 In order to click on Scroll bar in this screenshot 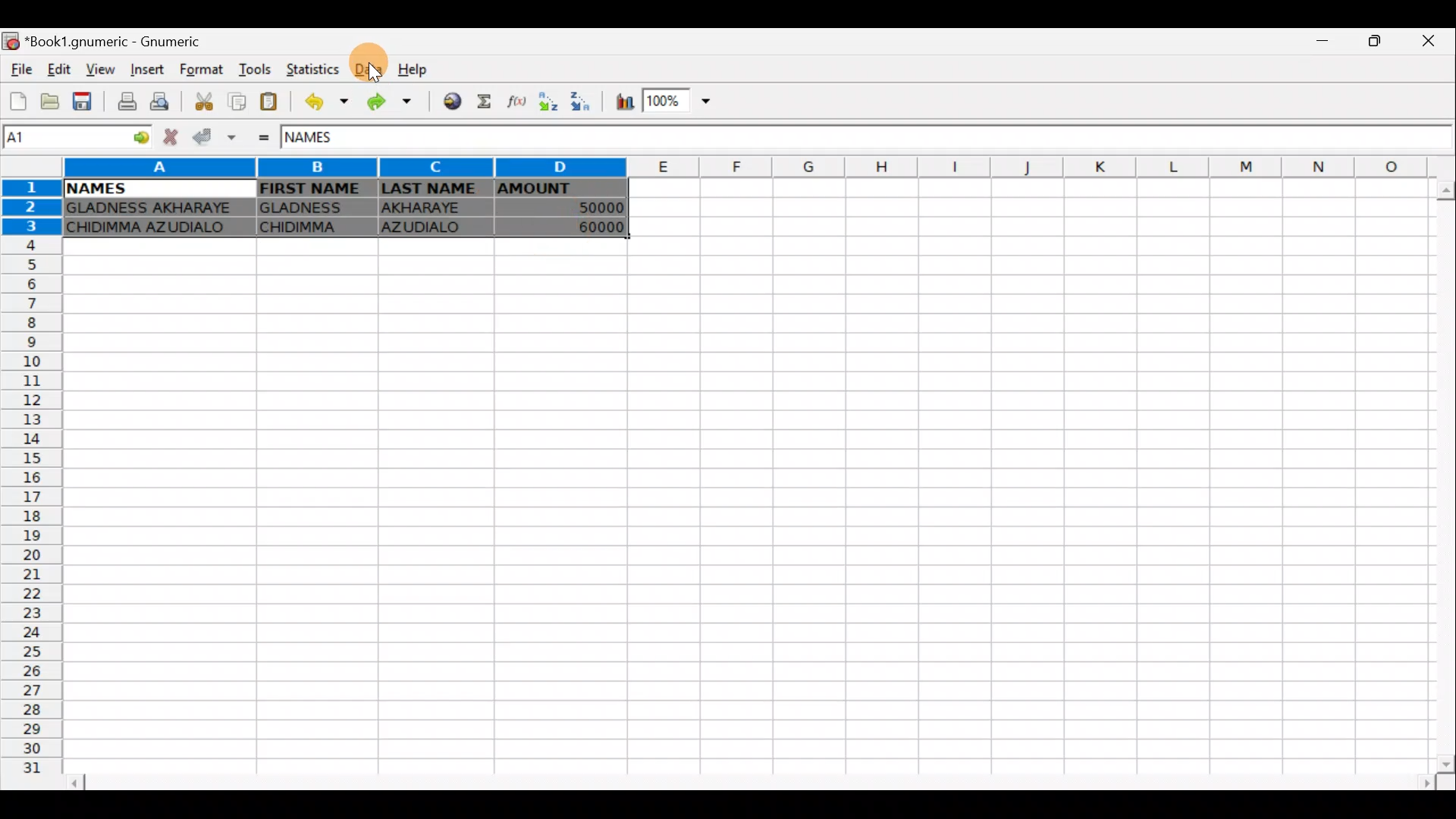, I will do `click(1437, 475)`.